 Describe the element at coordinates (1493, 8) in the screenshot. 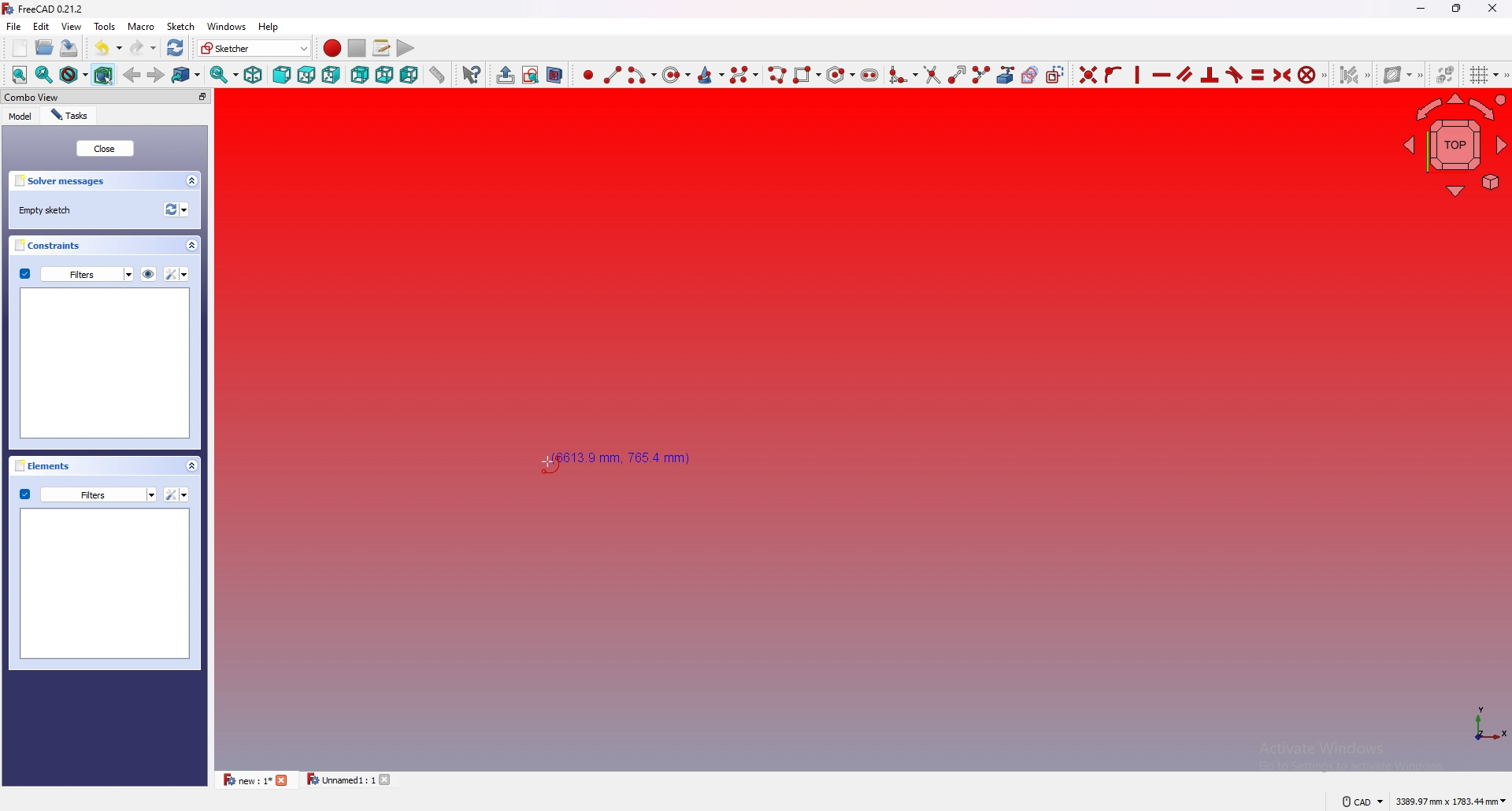

I see `close` at that location.